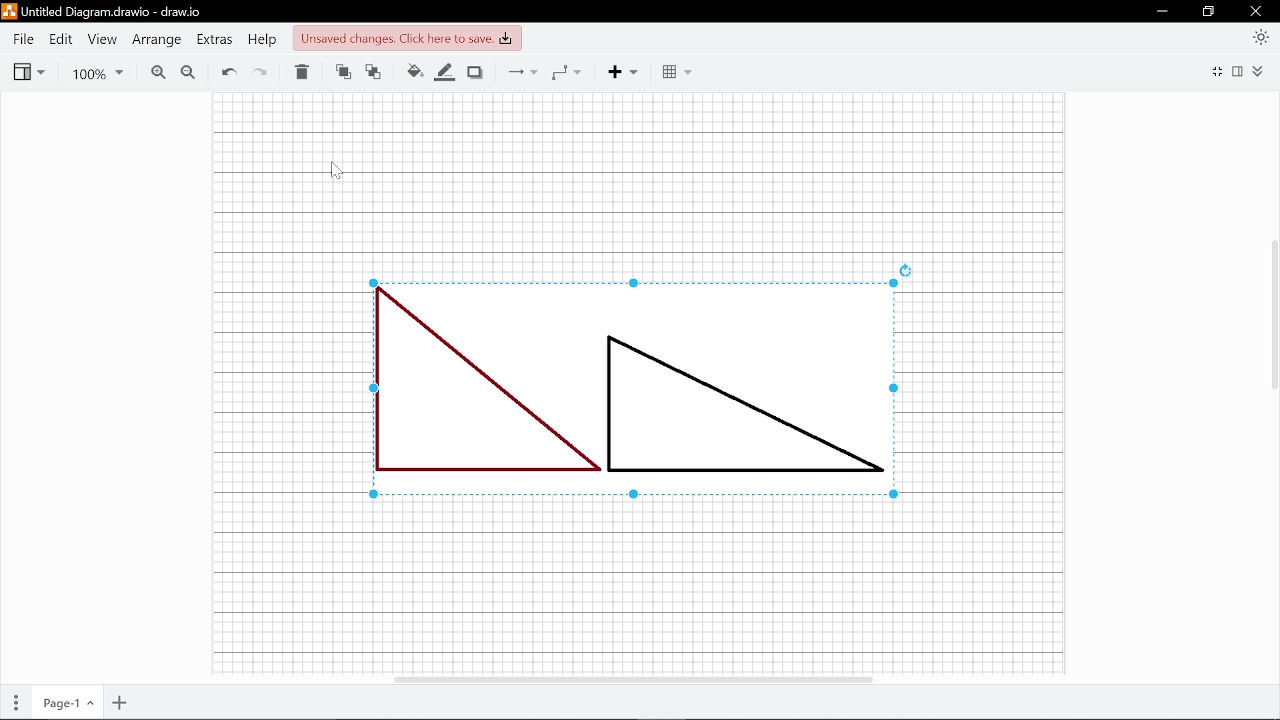 This screenshot has height=720, width=1280. Describe the element at coordinates (474, 72) in the screenshot. I see `Shadow` at that location.